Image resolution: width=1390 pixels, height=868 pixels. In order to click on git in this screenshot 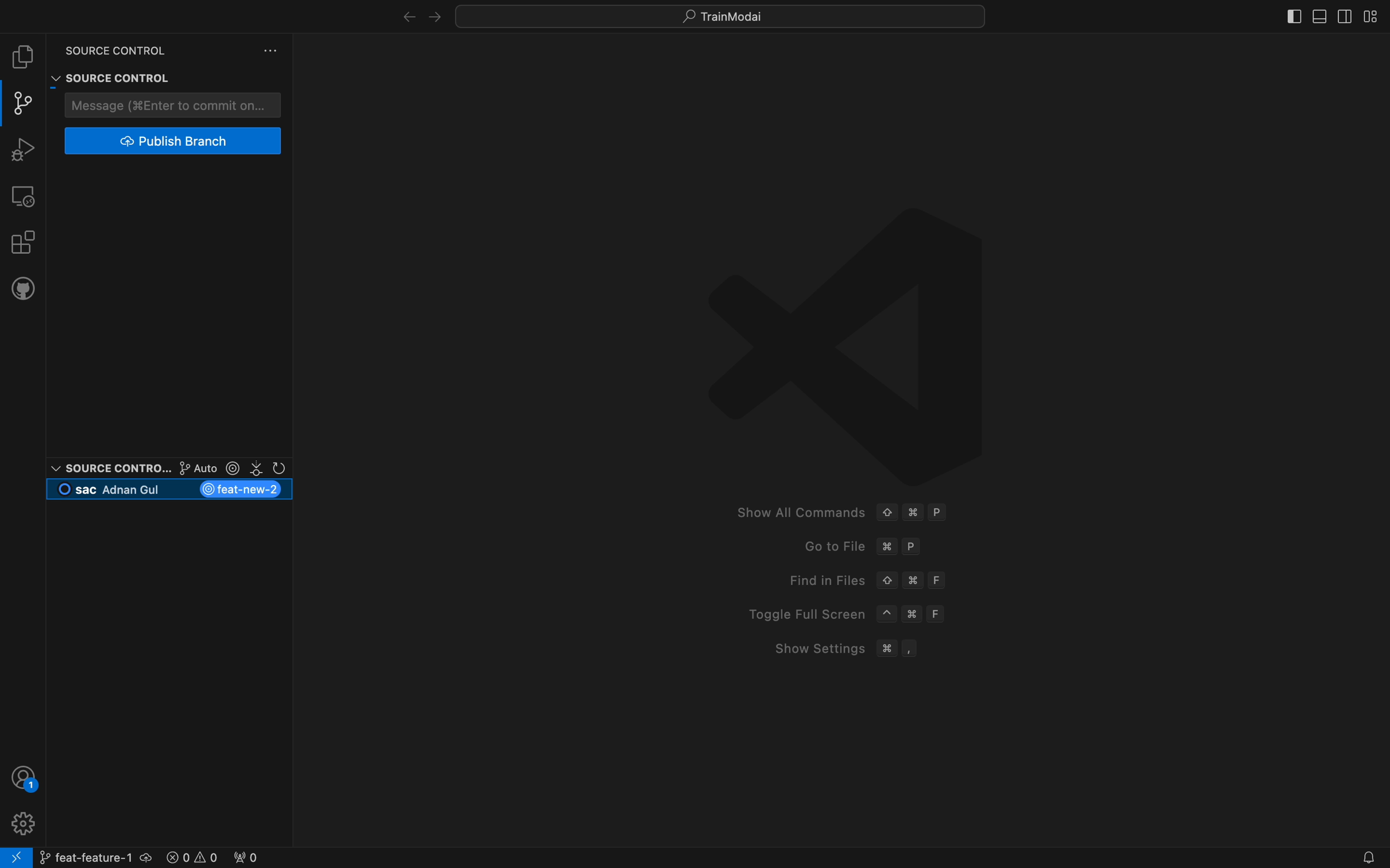, I will do `click(25, 103)`.